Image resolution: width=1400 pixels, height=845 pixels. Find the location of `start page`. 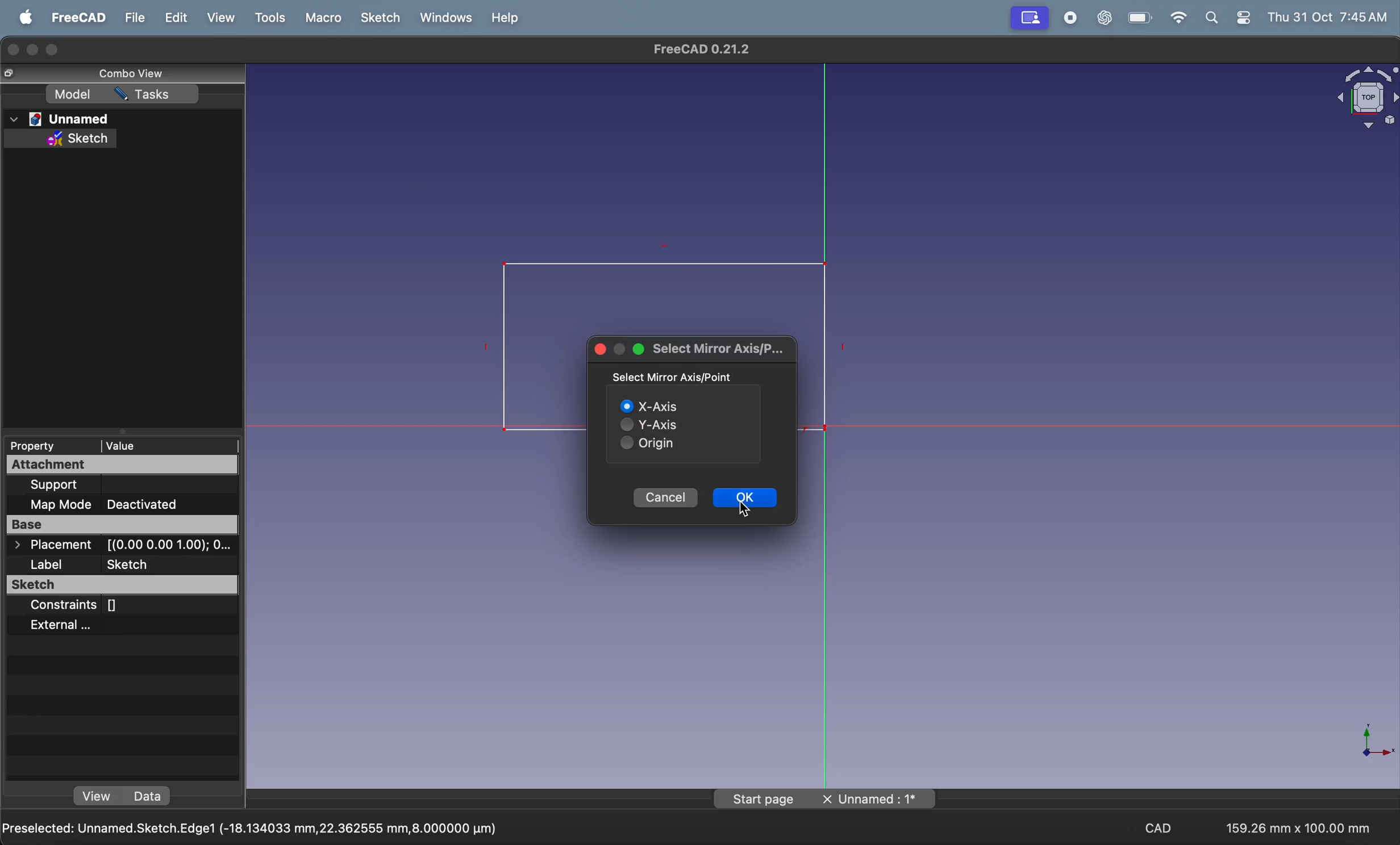

start page is located at coordinates (755, 800).